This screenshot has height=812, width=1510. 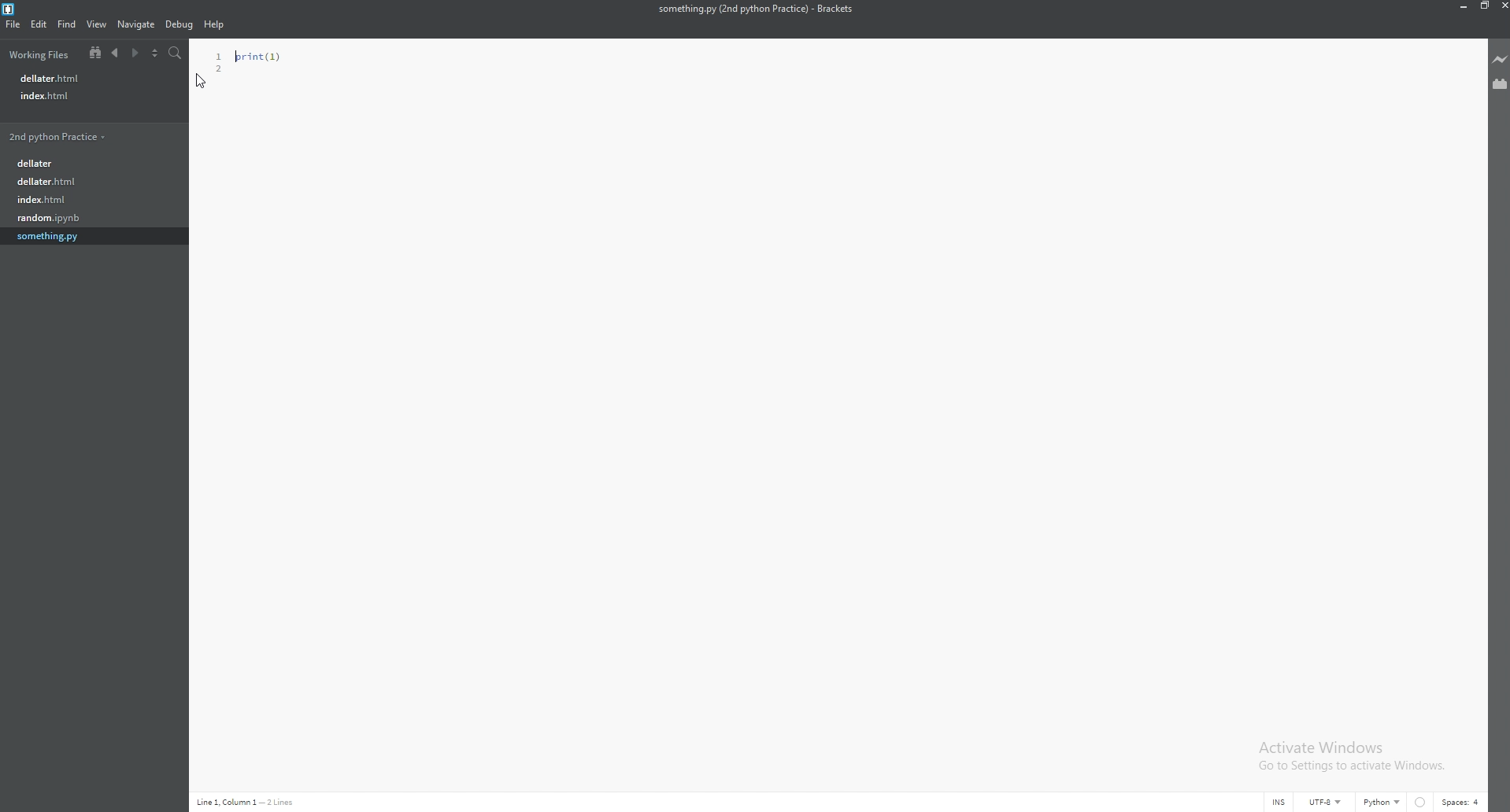 I want to click on encoding, so click(x=1329, y=800).